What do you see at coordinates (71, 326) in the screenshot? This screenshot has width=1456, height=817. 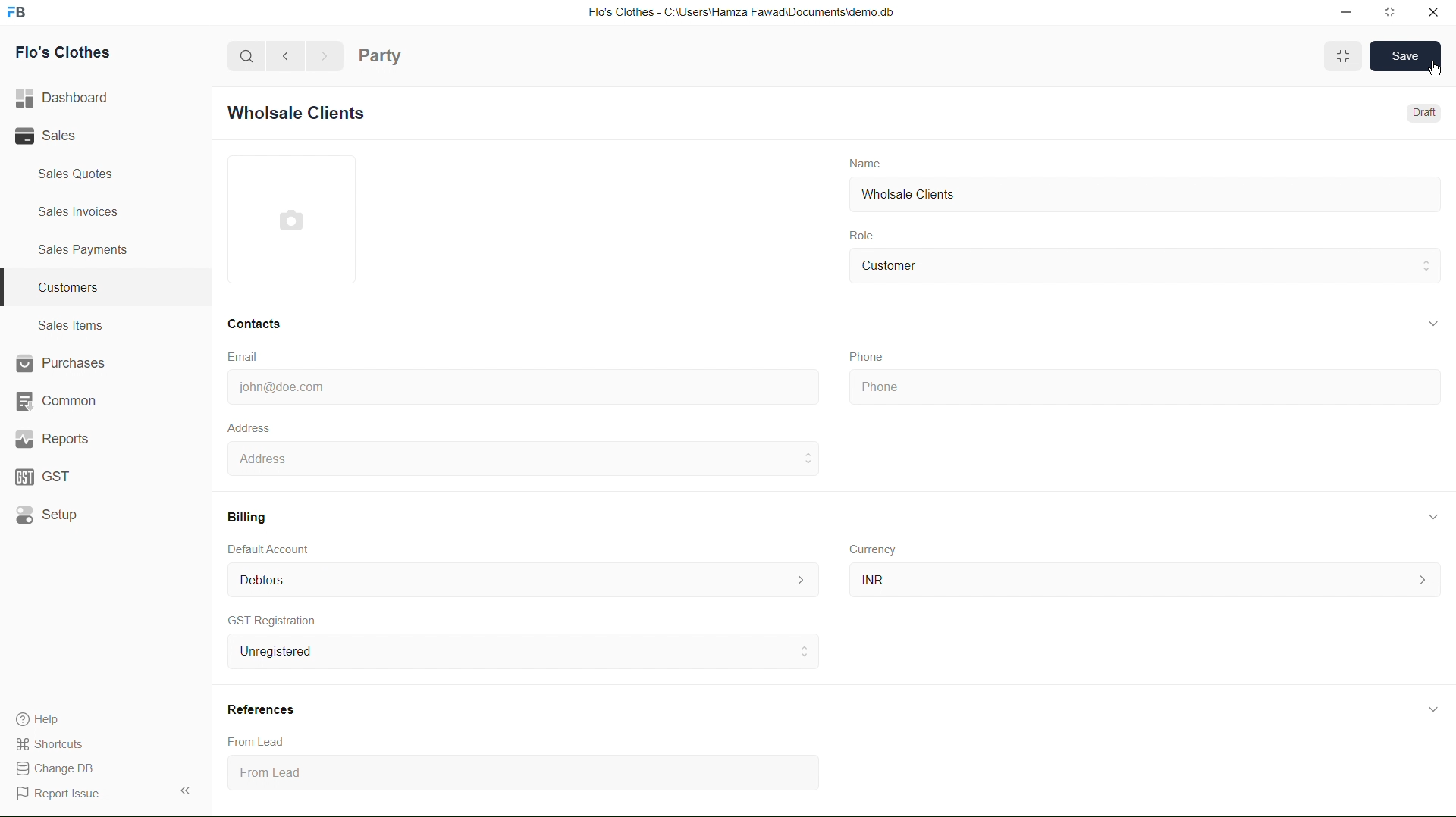 I see `Sales Items` at bounding box center [71, 326].